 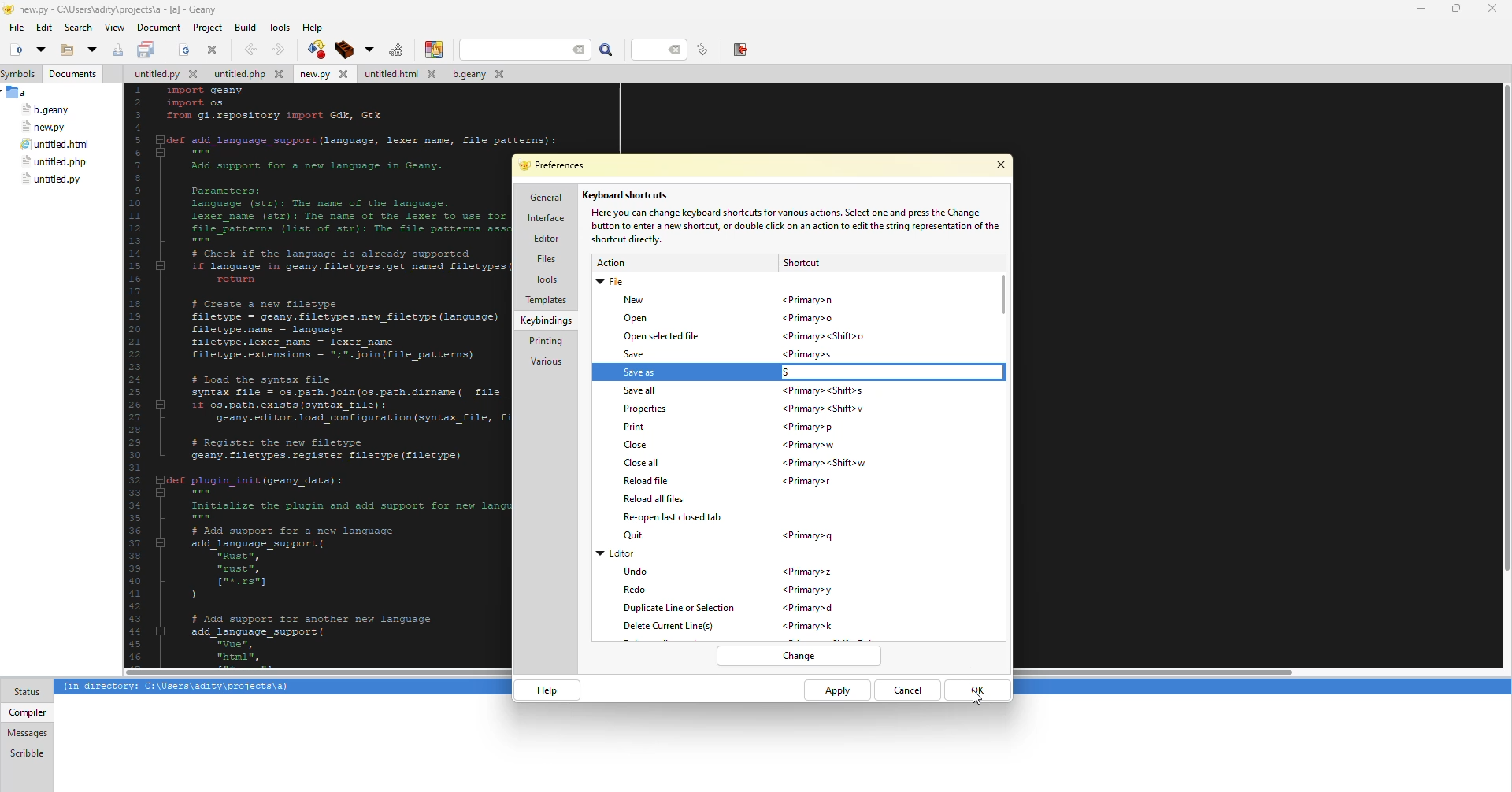 What do you see at coordinates (633, 355) in the screenshot?
I see `save` at bounding box center [633, 355].